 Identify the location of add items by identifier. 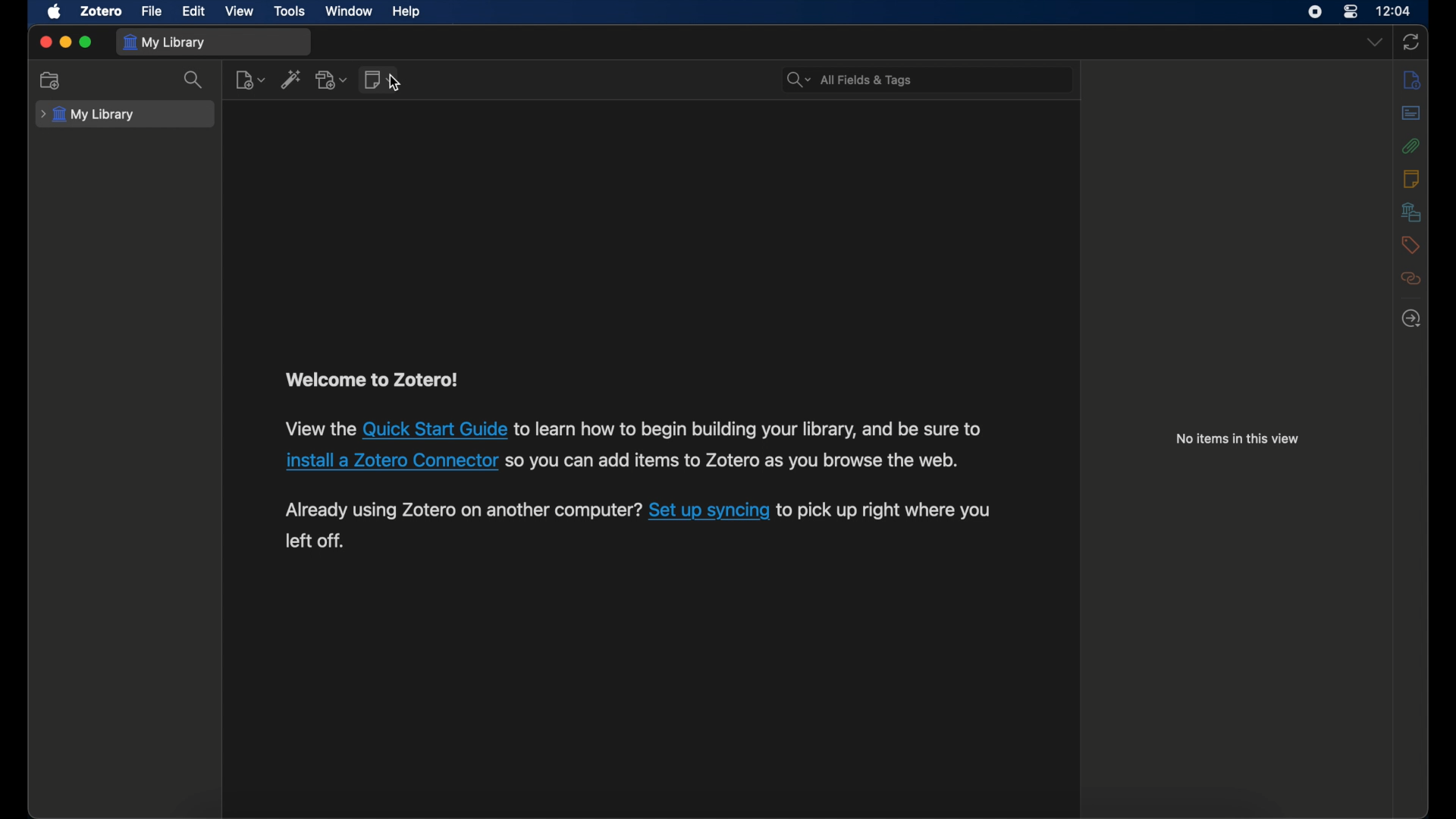
(291, 79).